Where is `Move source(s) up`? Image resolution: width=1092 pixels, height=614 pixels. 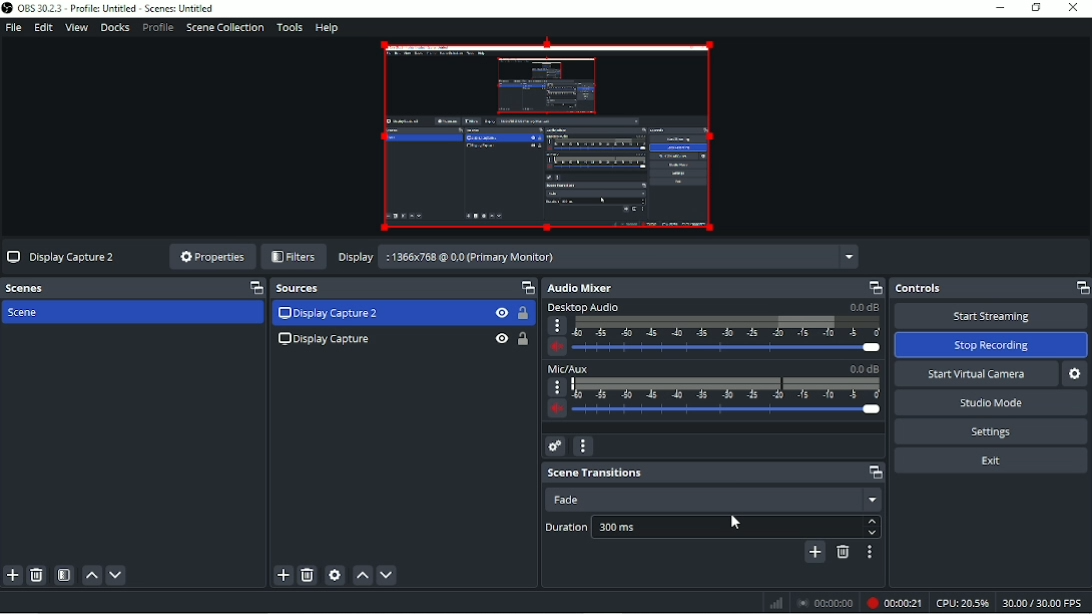 Move source(s) up is located at coordinates (362, 575).